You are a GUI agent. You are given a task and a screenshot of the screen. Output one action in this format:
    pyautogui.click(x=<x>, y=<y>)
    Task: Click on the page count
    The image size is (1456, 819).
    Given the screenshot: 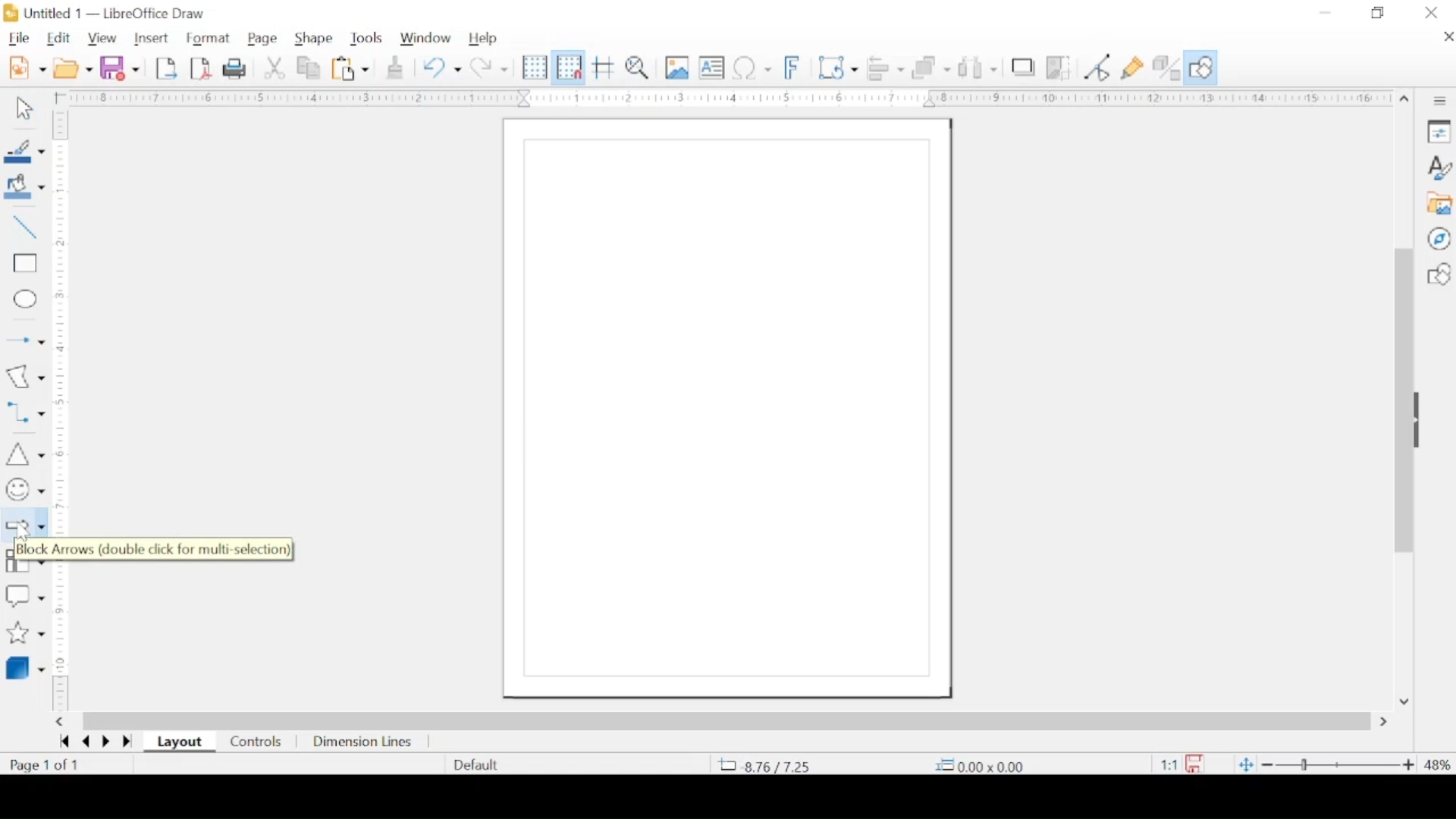 What is the action you would take?
    pyautogui.click(x=46, y=765)
    